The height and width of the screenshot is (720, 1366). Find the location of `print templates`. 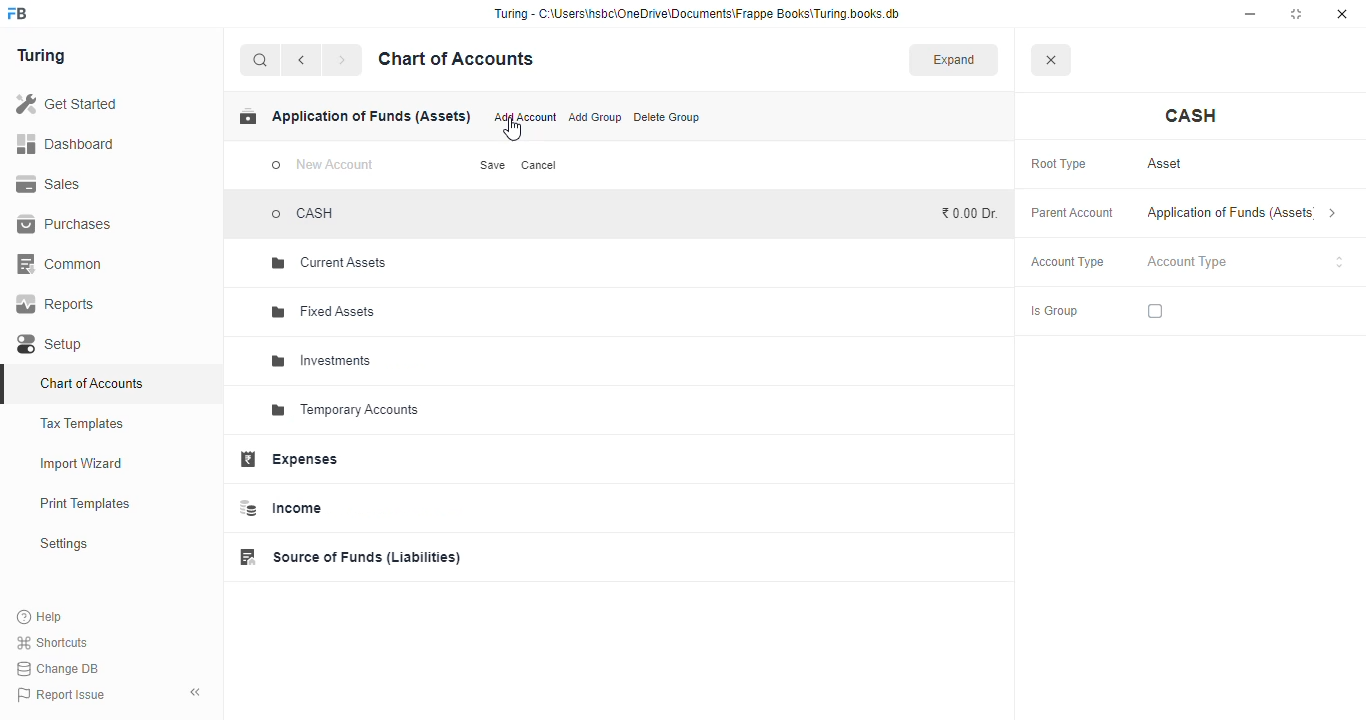

print templates is located at coordinates (85, 503).